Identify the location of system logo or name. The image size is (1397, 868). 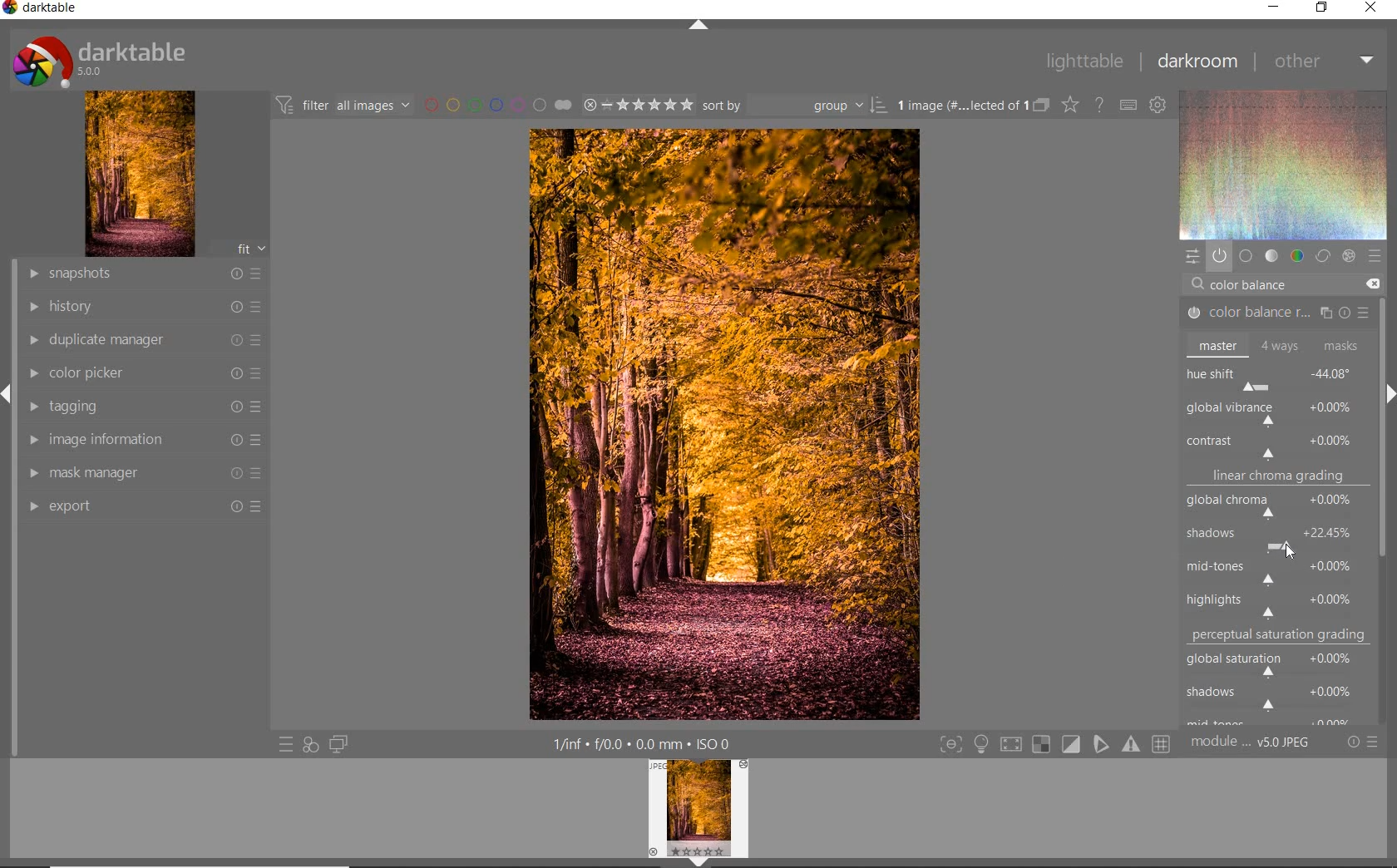
(106, 60).